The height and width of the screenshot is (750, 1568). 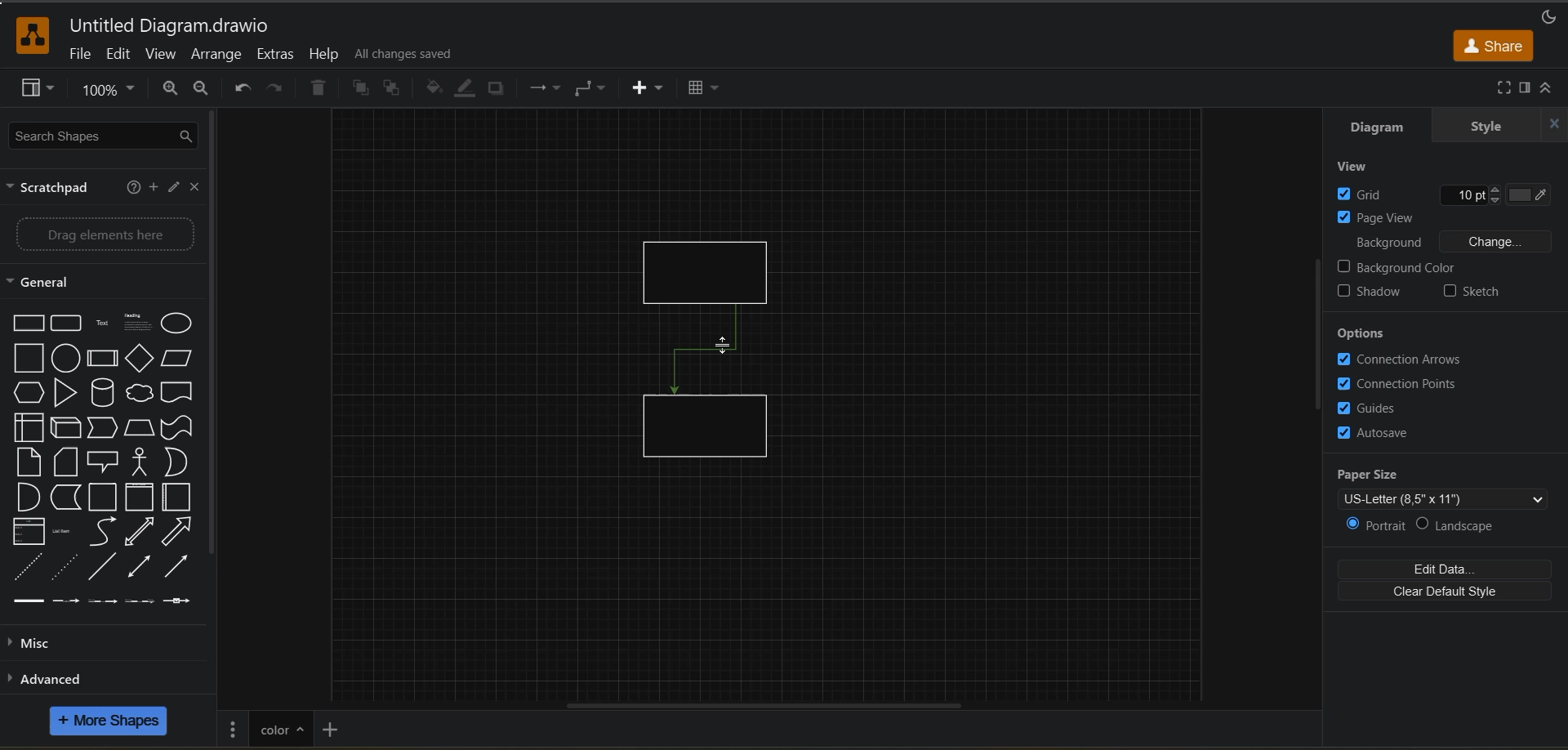 What do you see at coordinates (106, 429) in the screenshot?
I see `Step` at bounding box center [106, 429].